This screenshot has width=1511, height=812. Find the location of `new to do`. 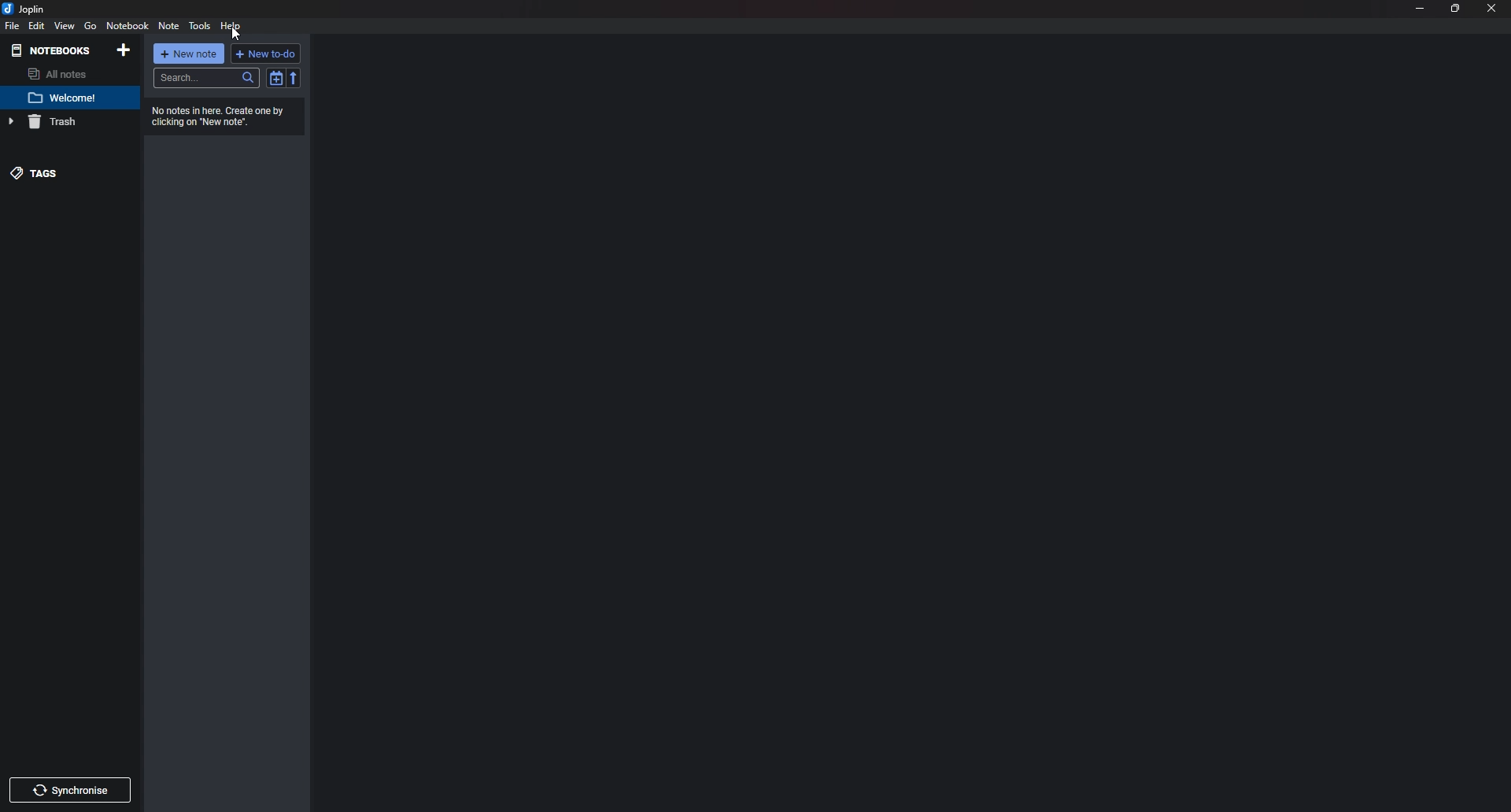

new to do is located at coordinates (266, 53).